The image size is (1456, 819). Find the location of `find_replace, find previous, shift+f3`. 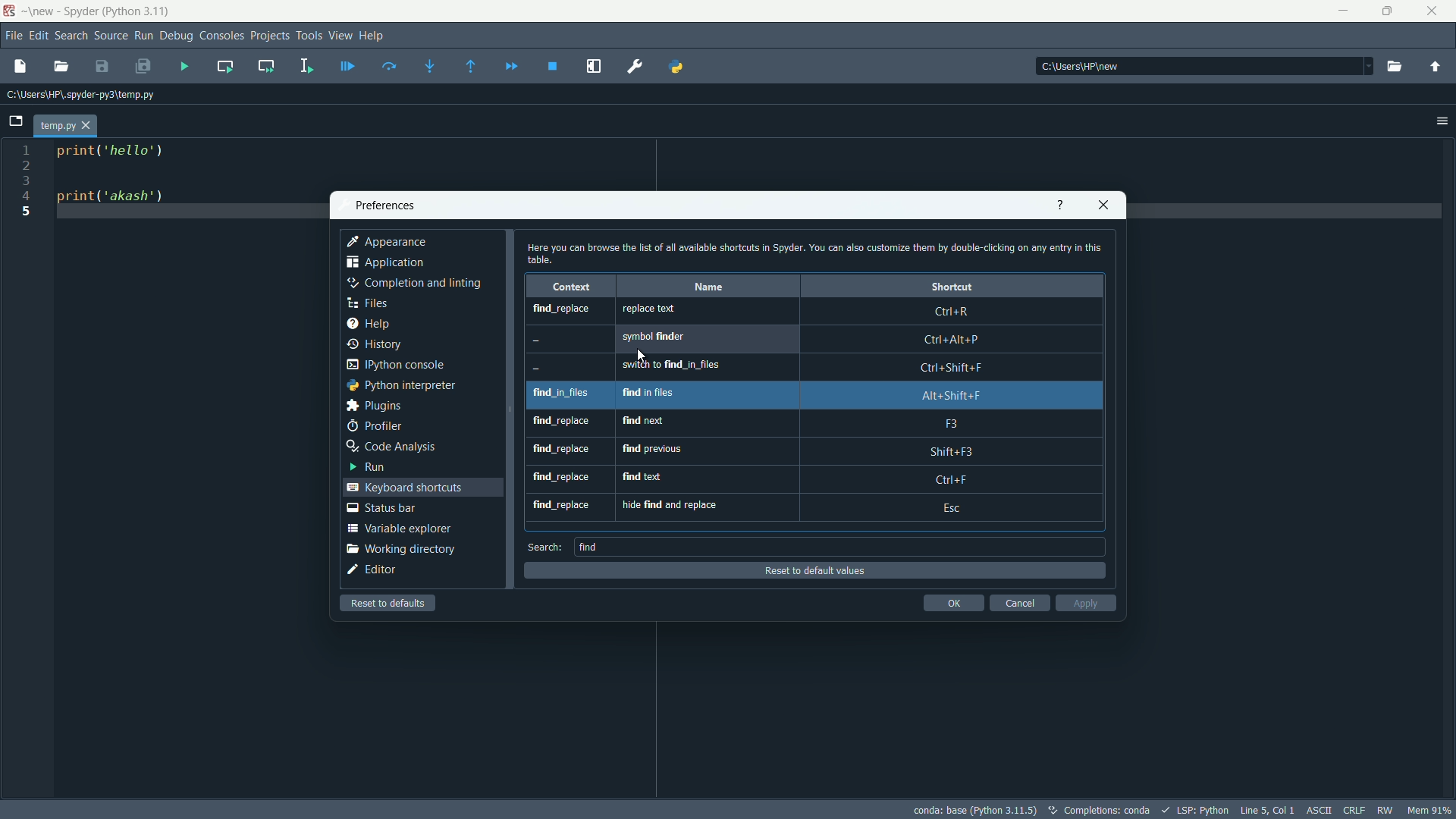

find_replace, find previous, shift+f3 is located at coordinates (818, 451).